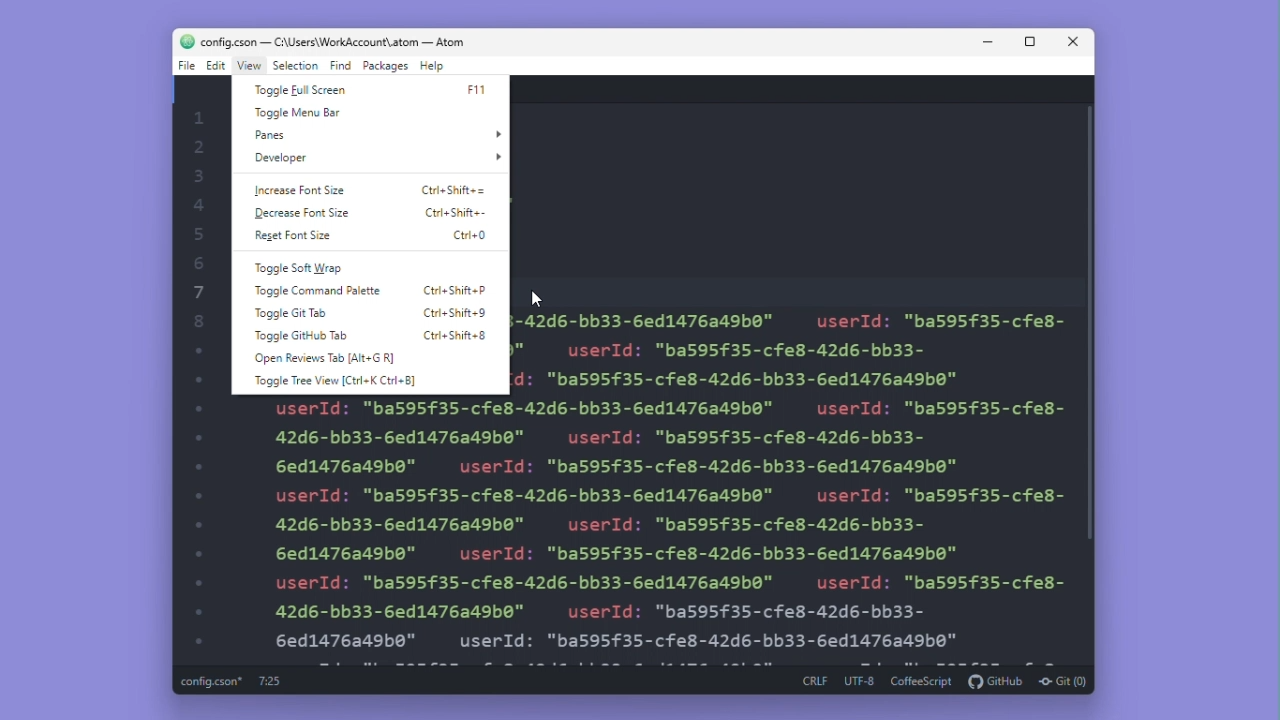 The image size is (1280, 720). Describe the element at coordinates (996, 680) in the screenshot. I see `github` at that location.